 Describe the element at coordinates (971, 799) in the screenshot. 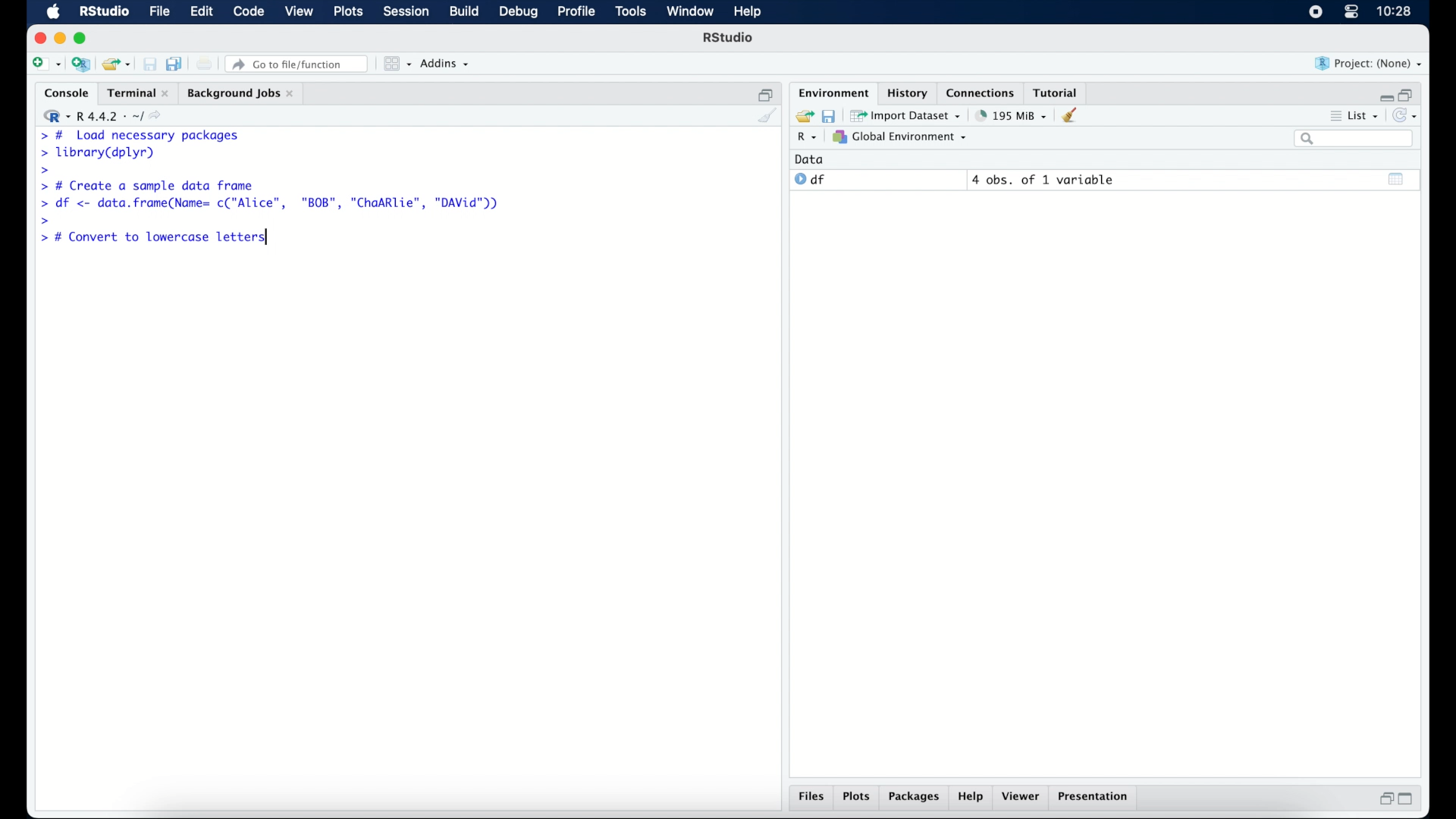

I see `help` at that location.